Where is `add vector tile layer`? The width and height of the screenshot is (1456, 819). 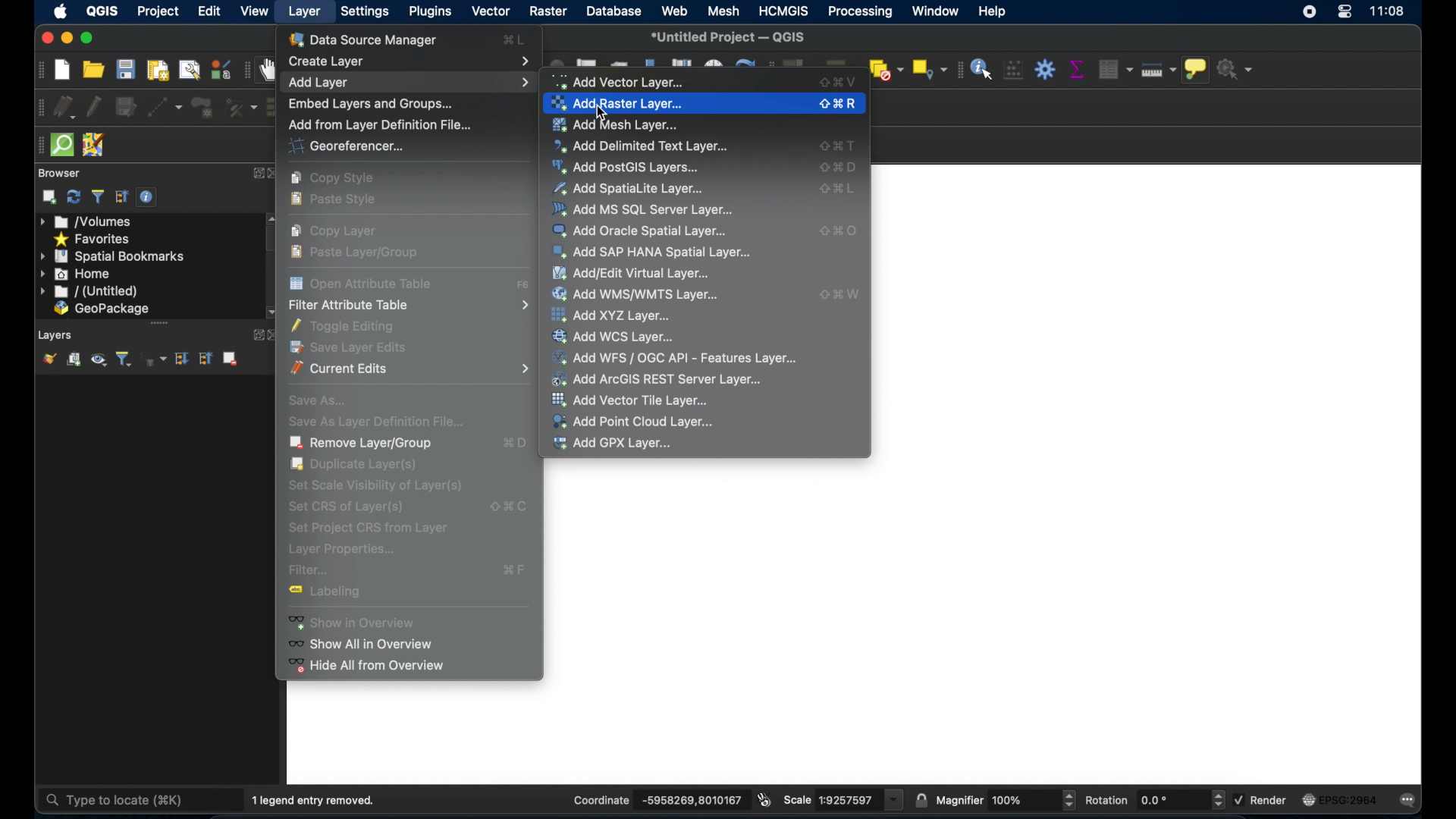
add vector tile layer is located at coordinates (633, 400).